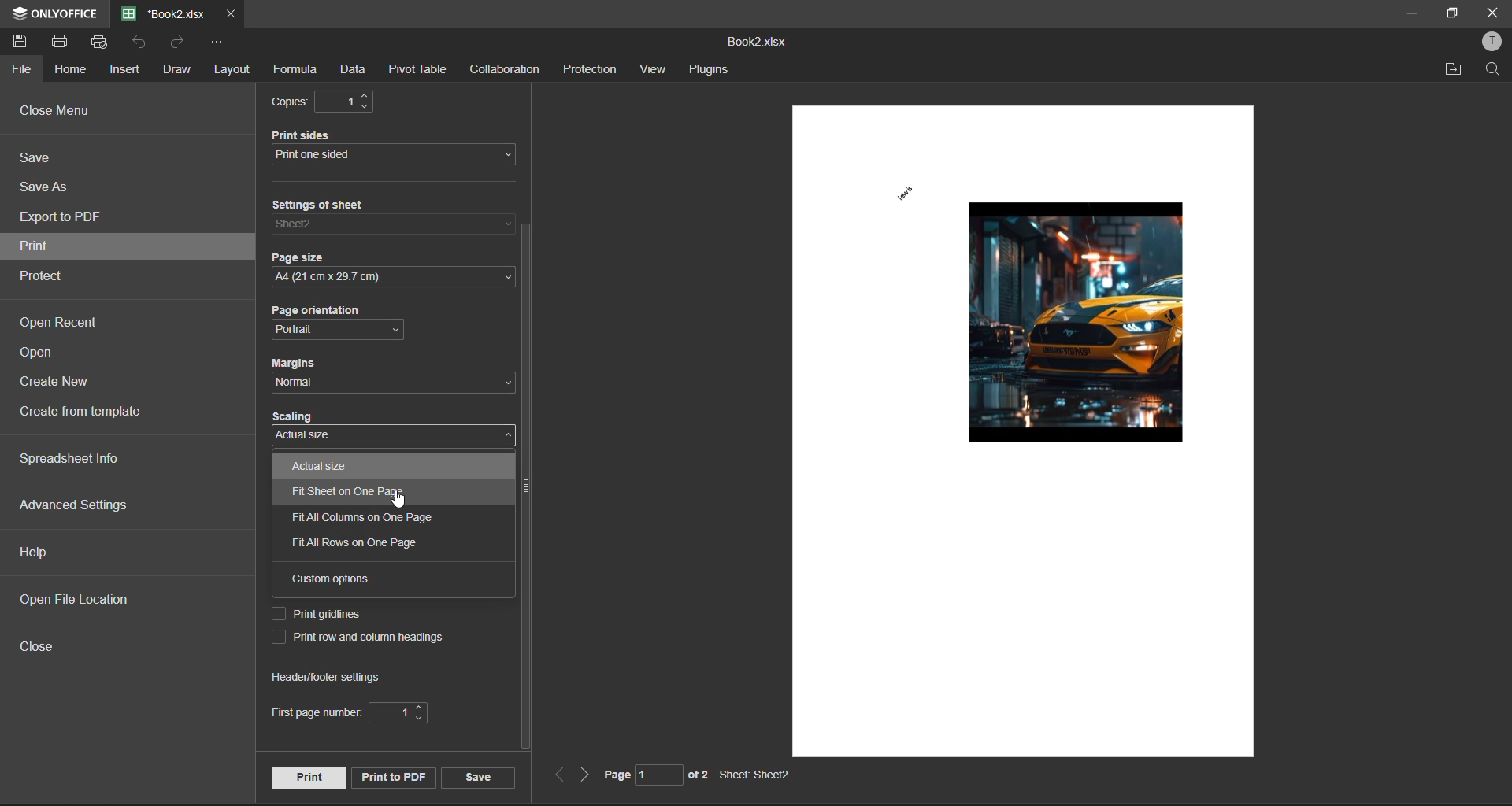  I want to click on redo, so click(179, 43).